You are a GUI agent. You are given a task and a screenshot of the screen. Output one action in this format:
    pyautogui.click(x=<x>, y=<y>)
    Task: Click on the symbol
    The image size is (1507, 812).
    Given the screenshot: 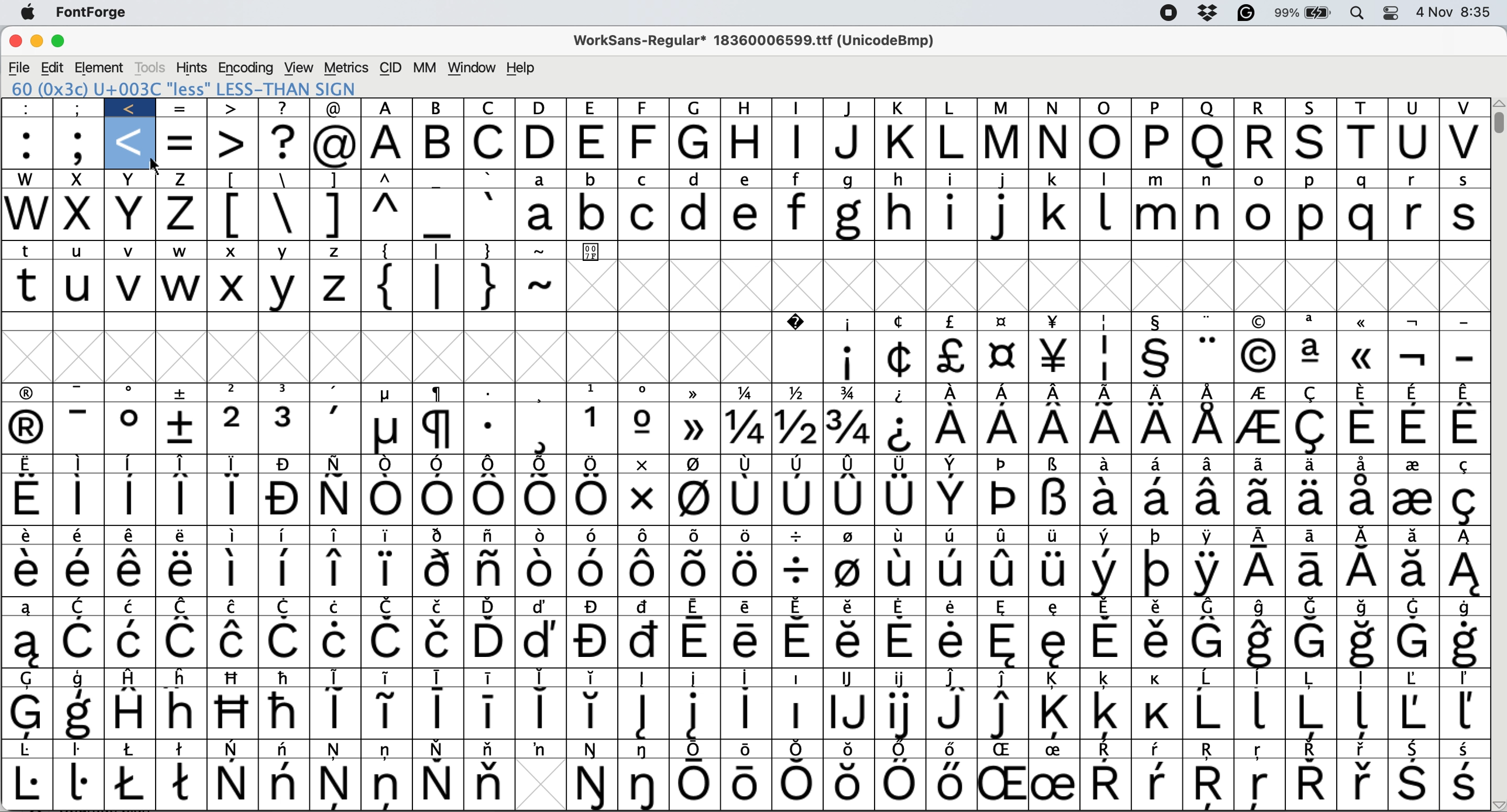 What is the action you would take?
    pyautogui.click(x=440, y=676)
    